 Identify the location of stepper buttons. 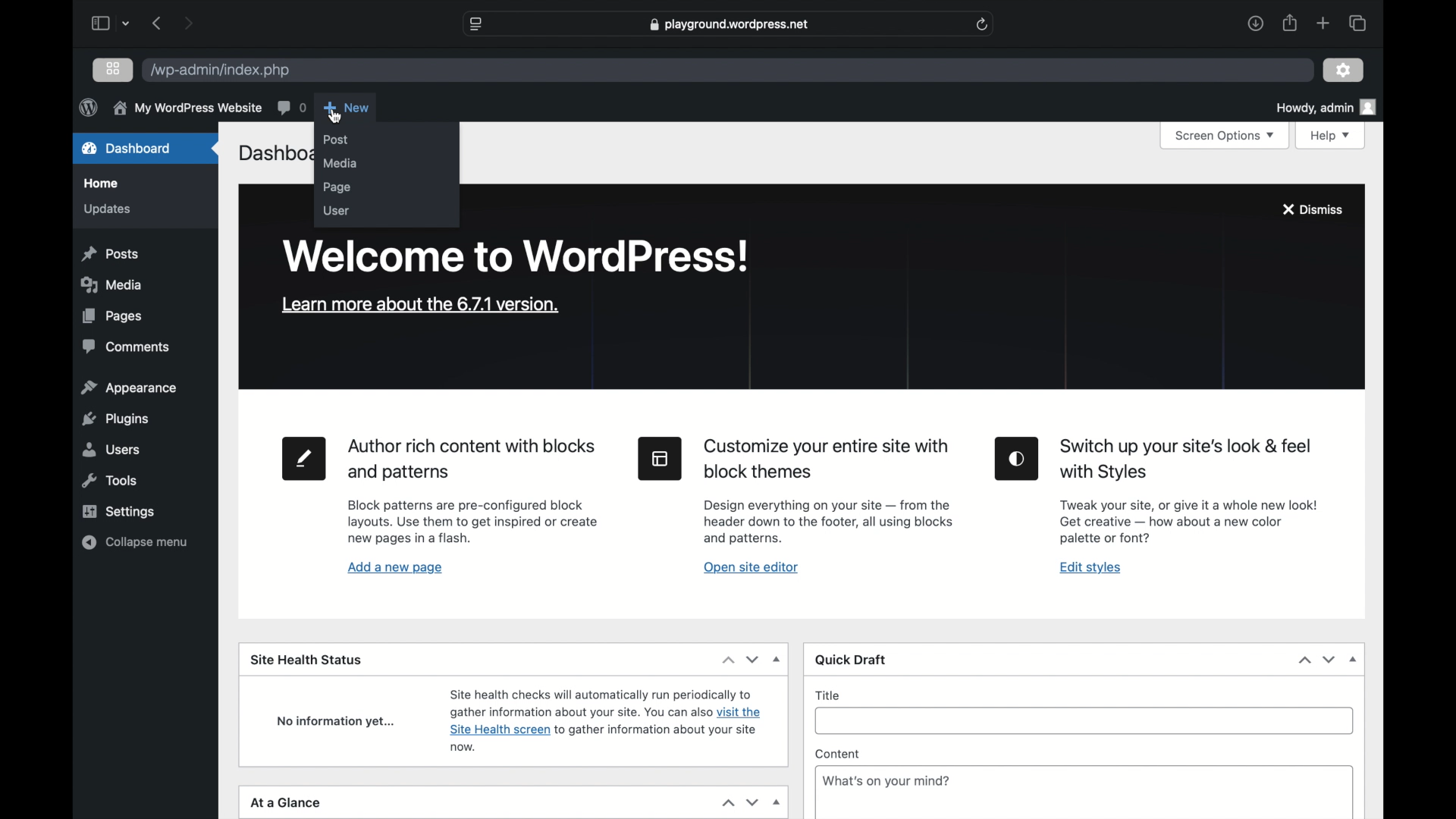
(740, 803).